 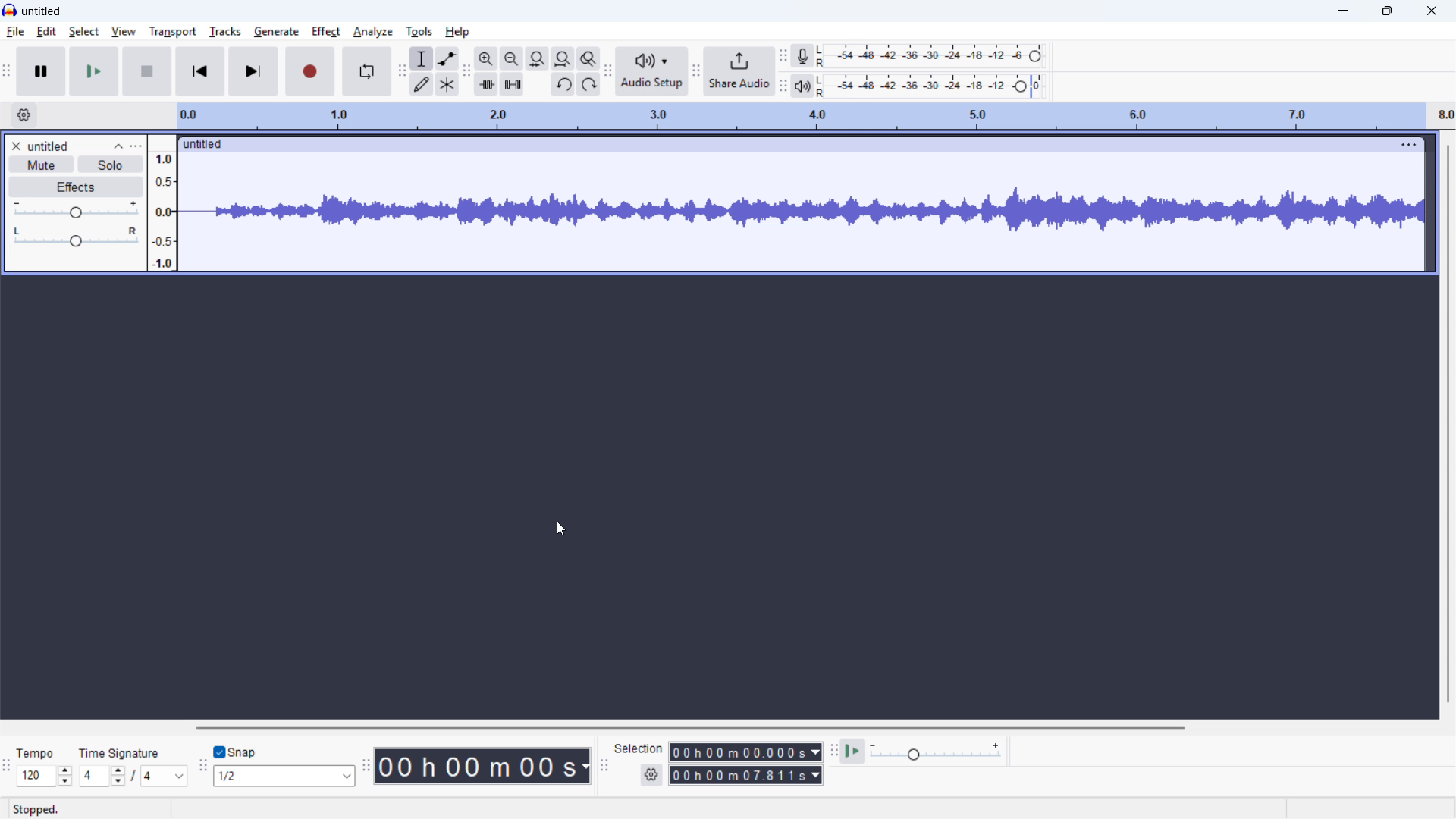 What do you see at coordinates (24, 115) in the screenshot?
I see `timeline settings` at bounding box center [24, 115].